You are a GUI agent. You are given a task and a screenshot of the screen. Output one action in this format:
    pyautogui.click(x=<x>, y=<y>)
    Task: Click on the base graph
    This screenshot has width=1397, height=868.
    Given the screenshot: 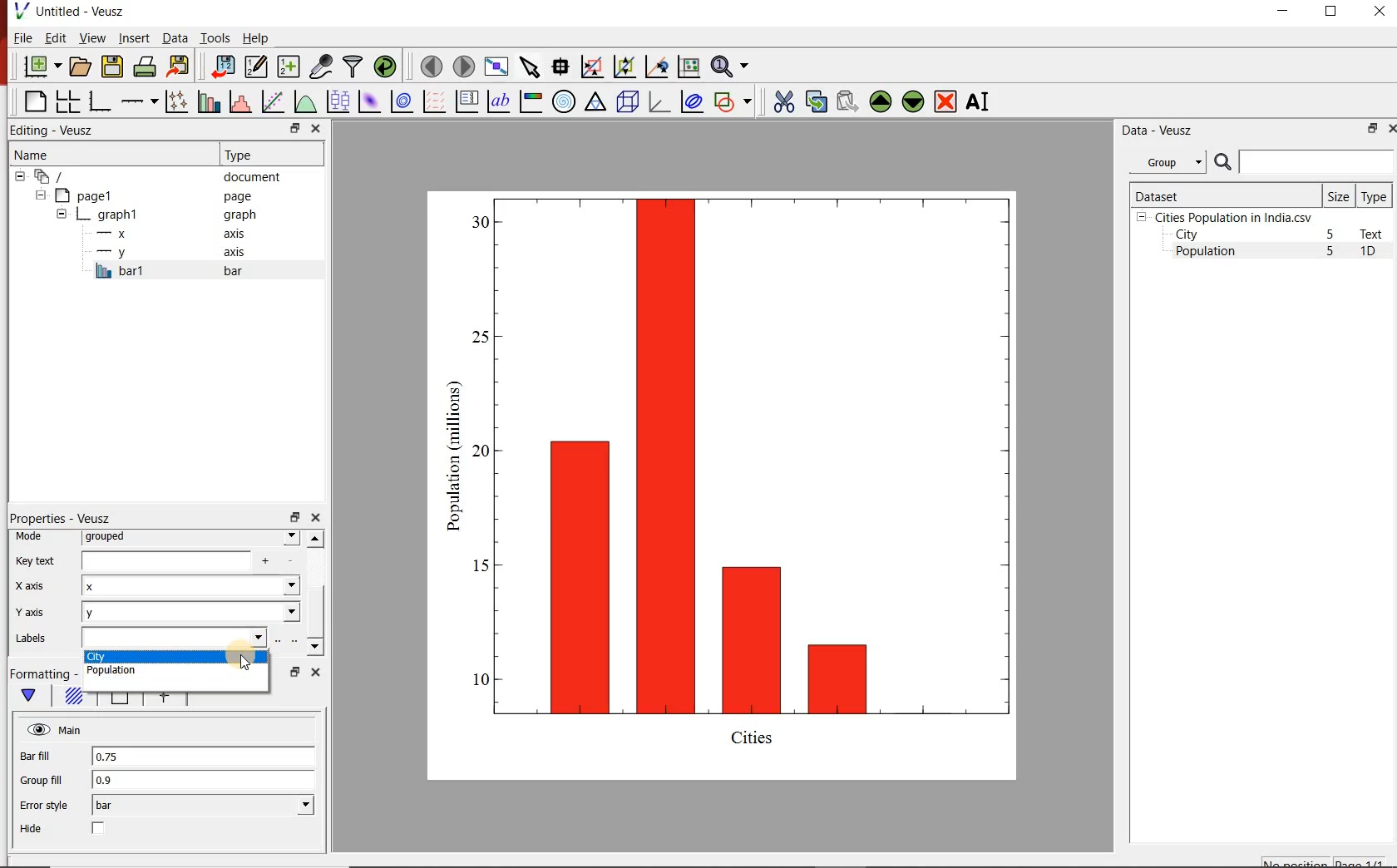 What is the action you would take?
    pyautogui.click(x=98, y=101)
    